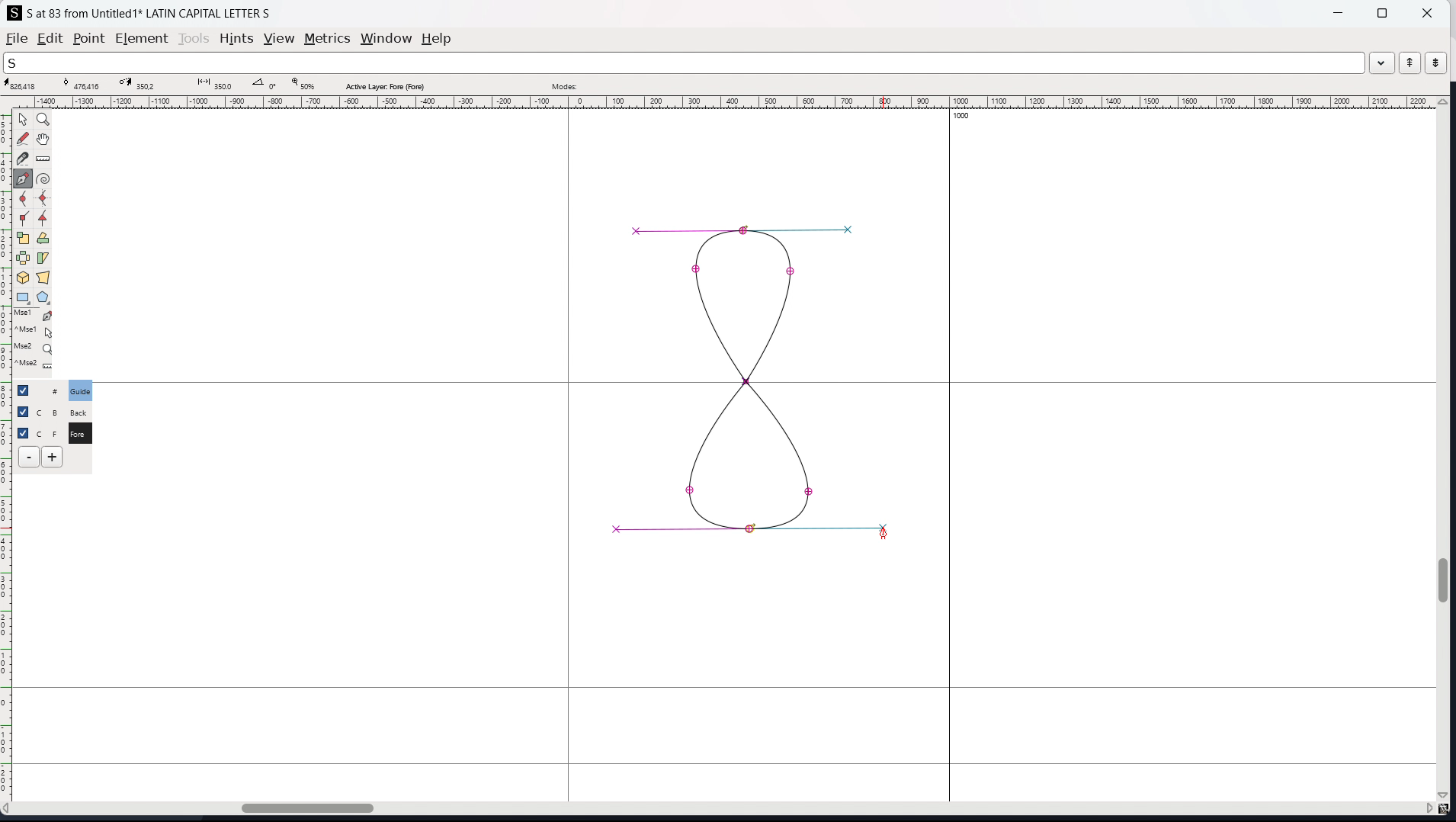  What do you see at coordinates (24, 239) in the screenshot?
I see `scale the selection` at bounding box center [24, 239].